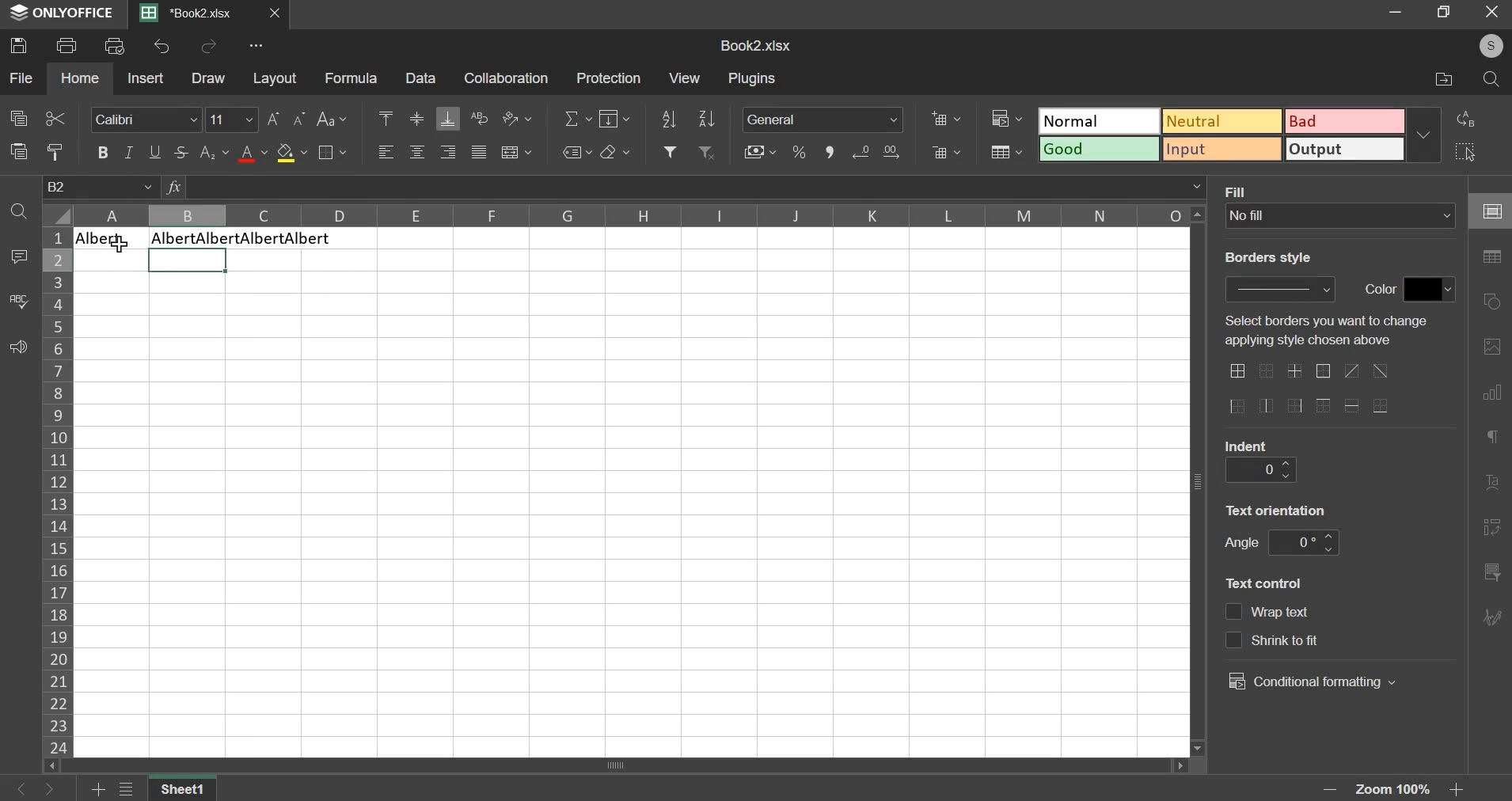 This screenshot has height=801, width=1512. I want to click on font size, so click(234, 119).